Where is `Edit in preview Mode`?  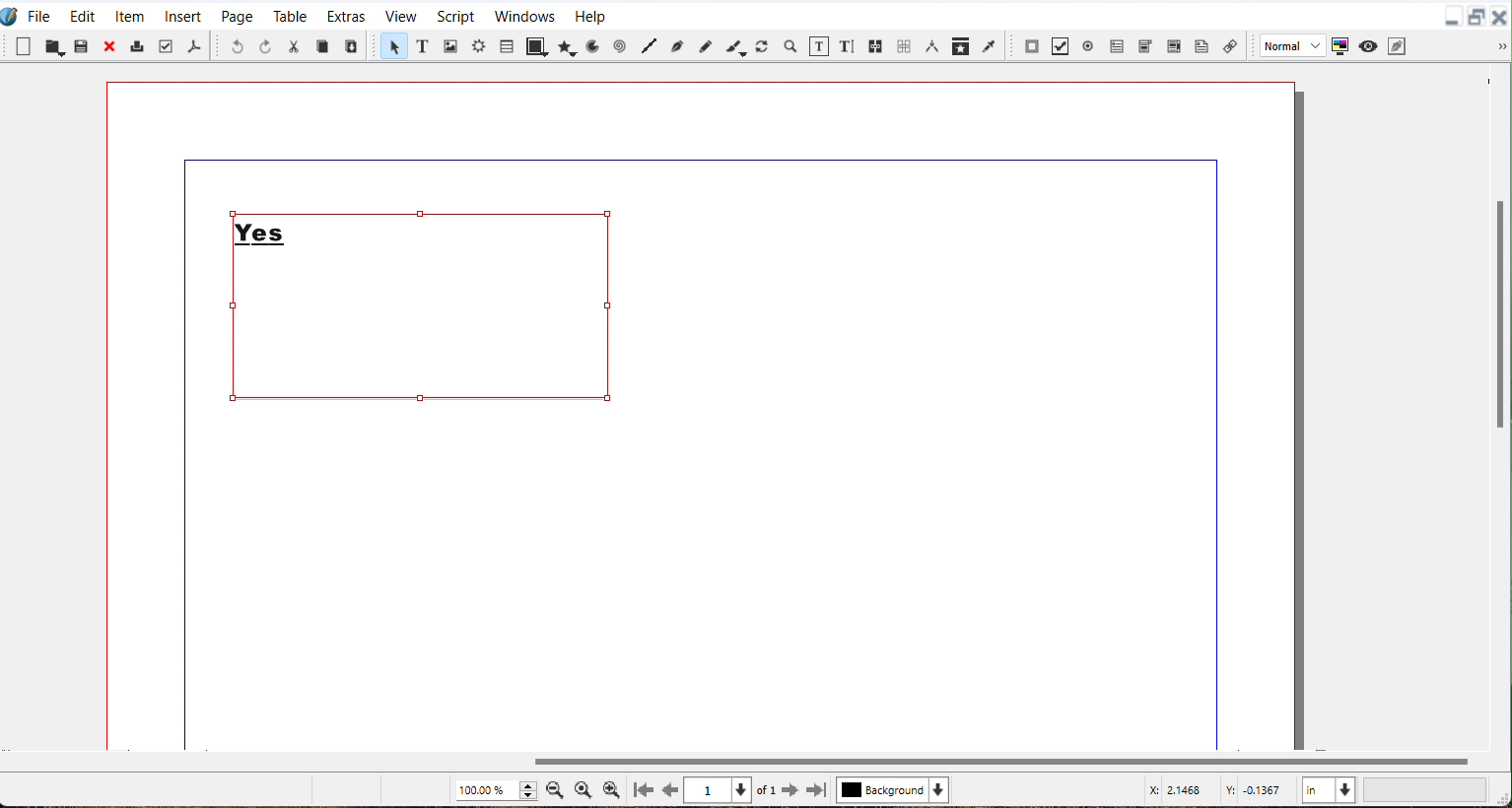 Edit in preview Mode is located at coordinates (1398, 45).